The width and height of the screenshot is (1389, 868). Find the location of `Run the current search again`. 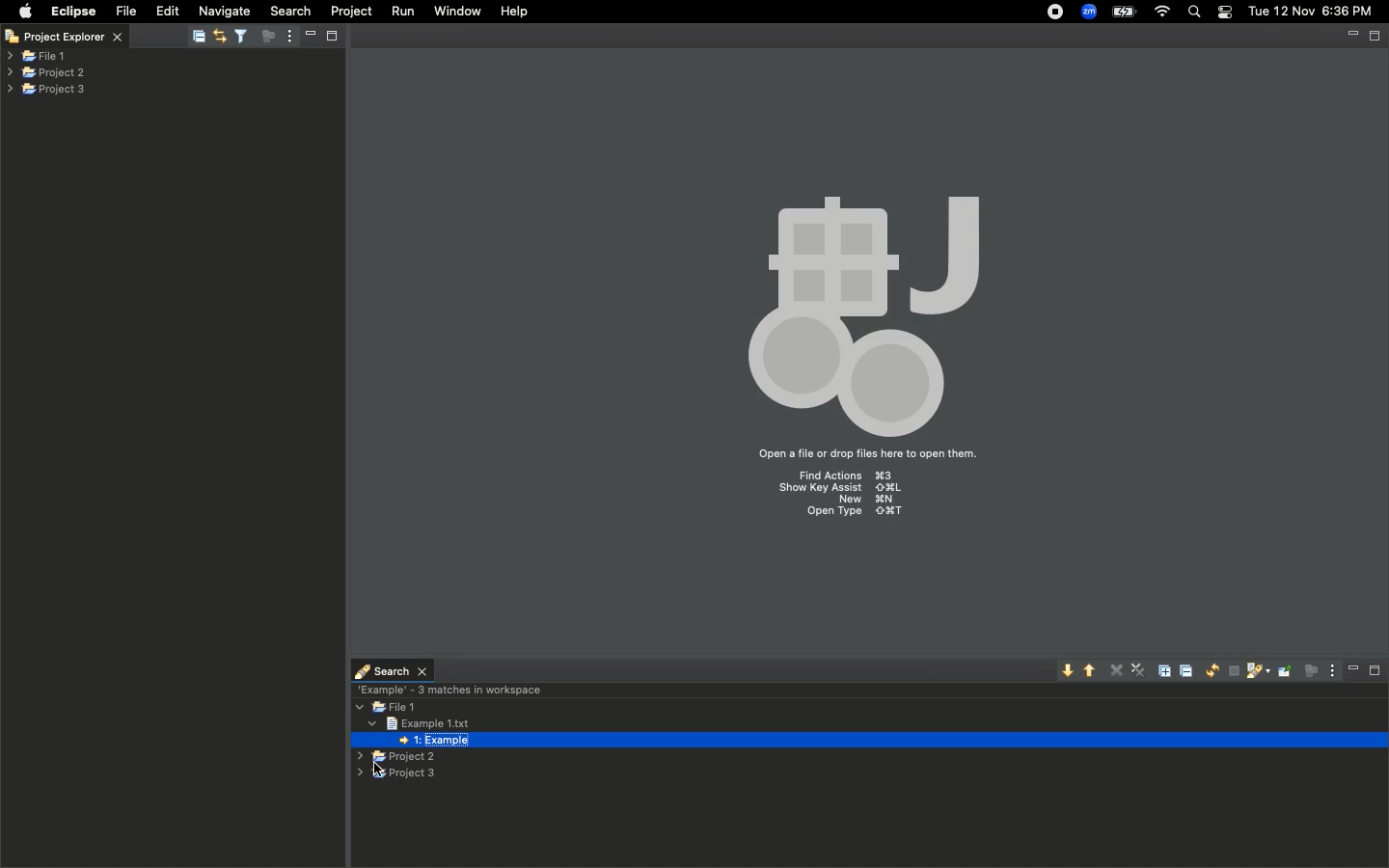

Run the current search again is located at coordinates (1208, 670).